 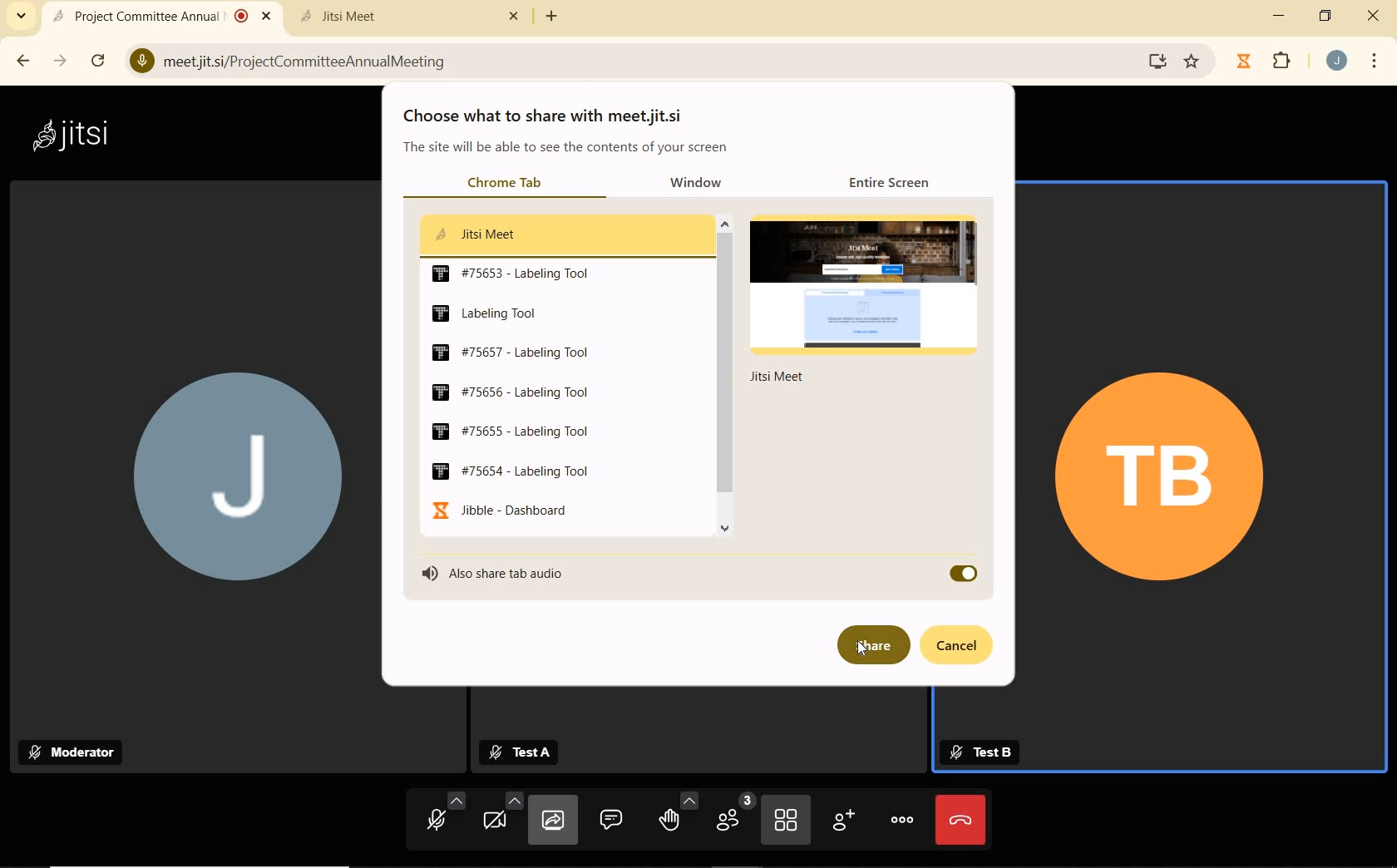 I want to click on meetjitsi/ProjectCommitteeAnnualMeeting, so click(x=297, y=59).